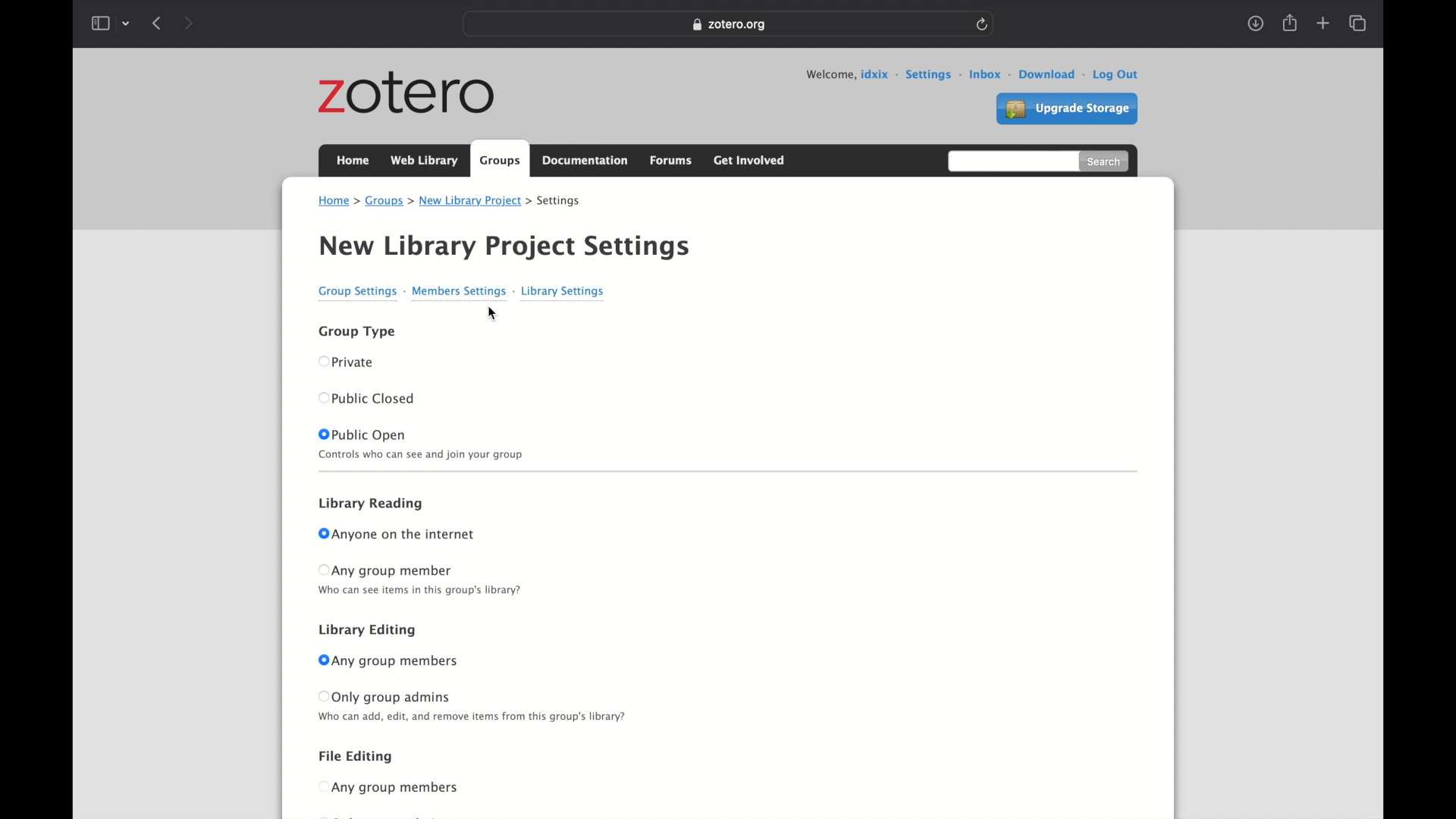  What do you see at coordinates (158, 24) in the screenshot?
I see `show previous page` at bounding box center [158, 24].